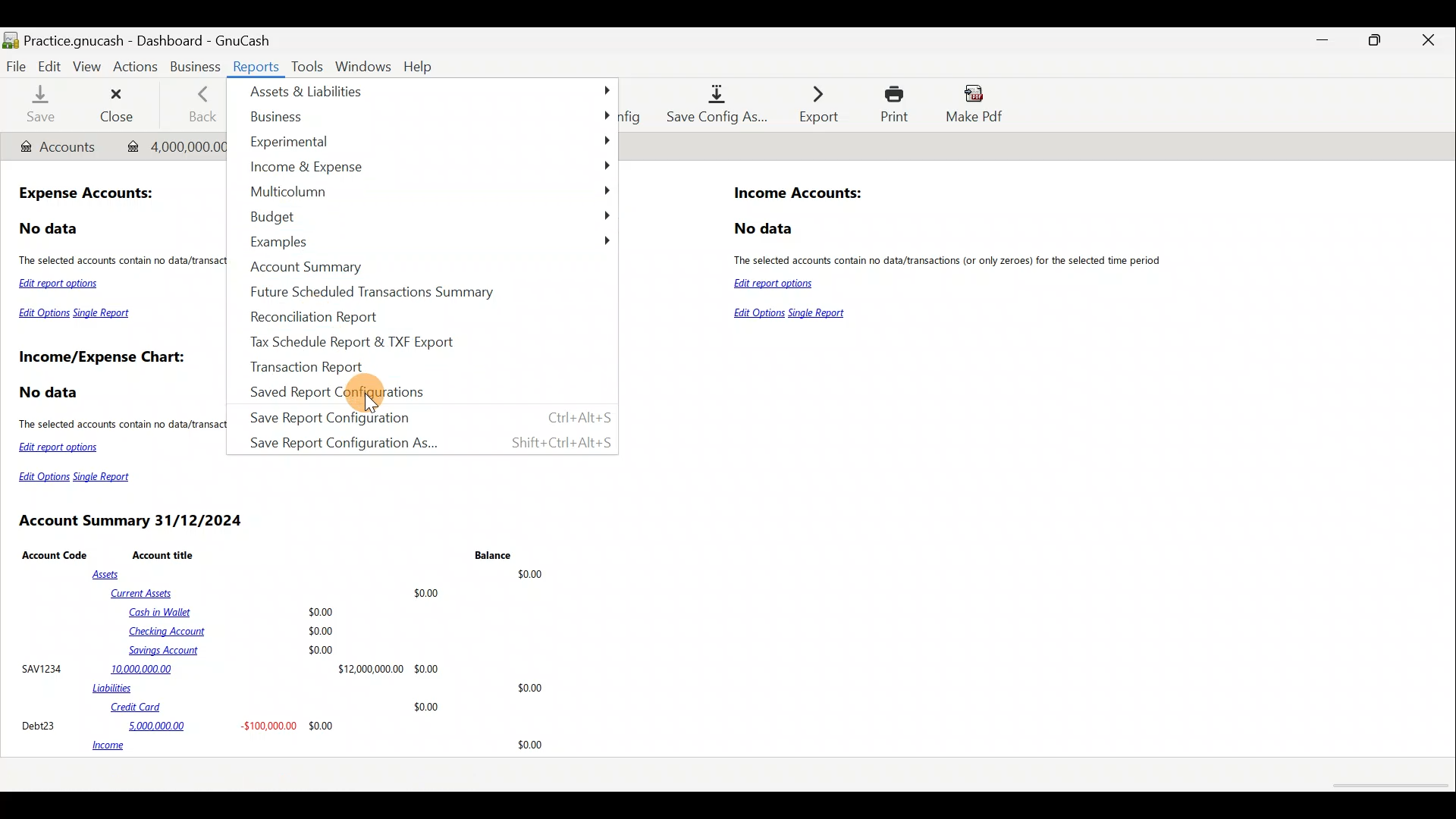  What do you see at coordinates (811, 104) in the screenshot?
I see `Export` at bounding box center [811, 104].